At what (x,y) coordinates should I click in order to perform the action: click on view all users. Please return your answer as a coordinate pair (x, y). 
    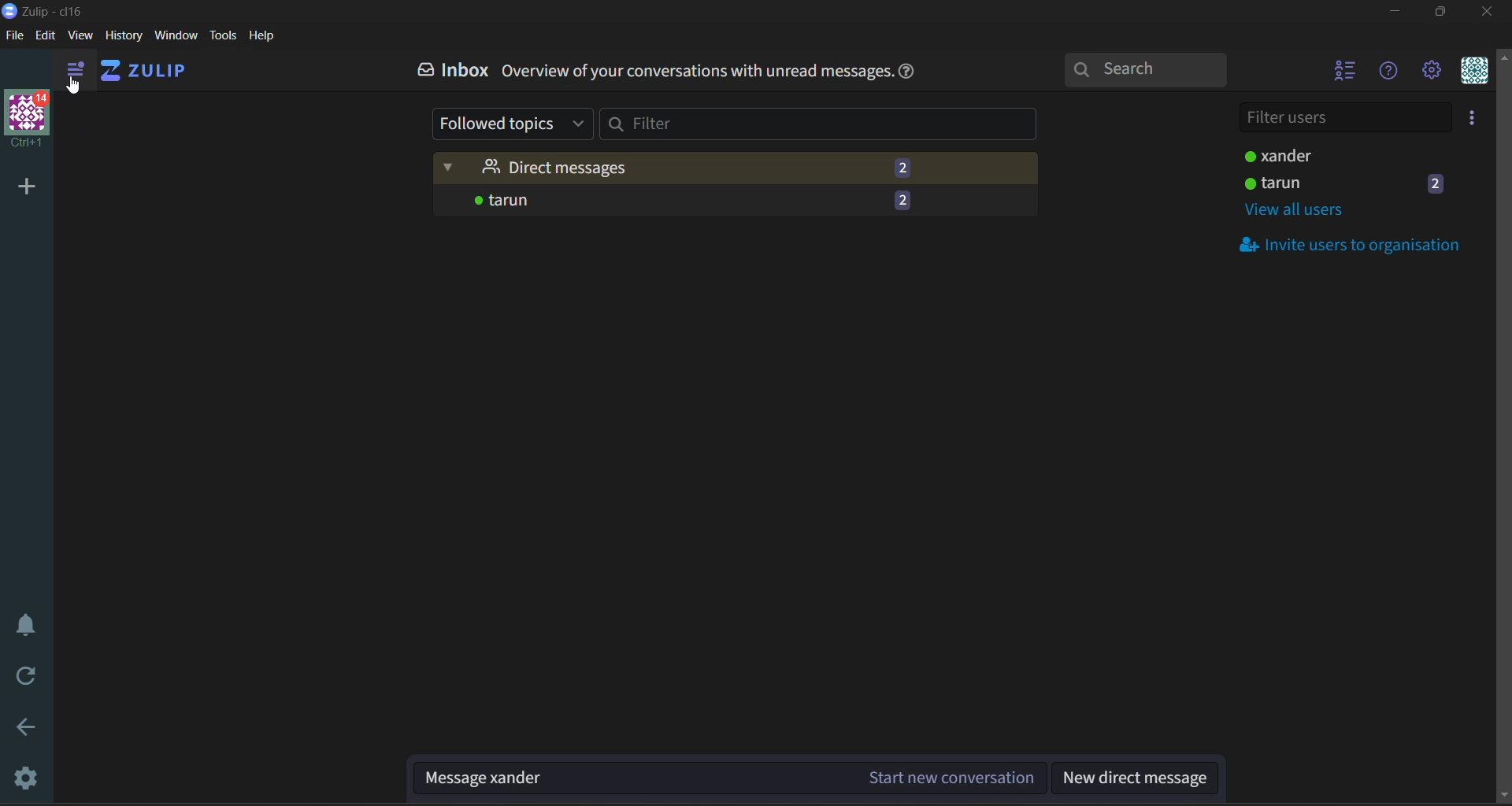
    Looking at the image, I should click on (1300, 212).